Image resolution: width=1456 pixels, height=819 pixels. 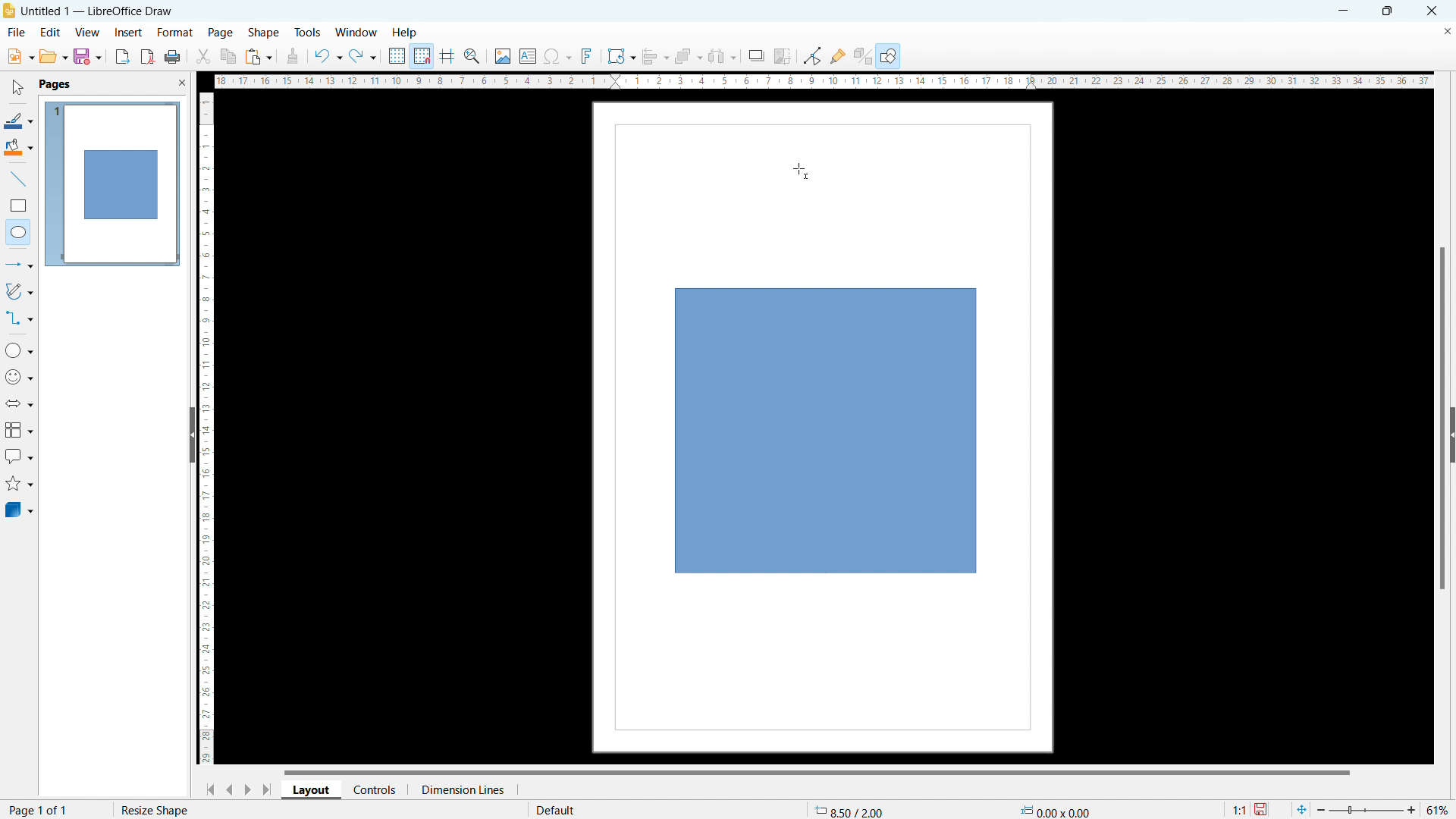 What do you see at coordinates (838, 55) in the screenshot?
I see `show gluepoint functions` at bounding box center [838, 55].